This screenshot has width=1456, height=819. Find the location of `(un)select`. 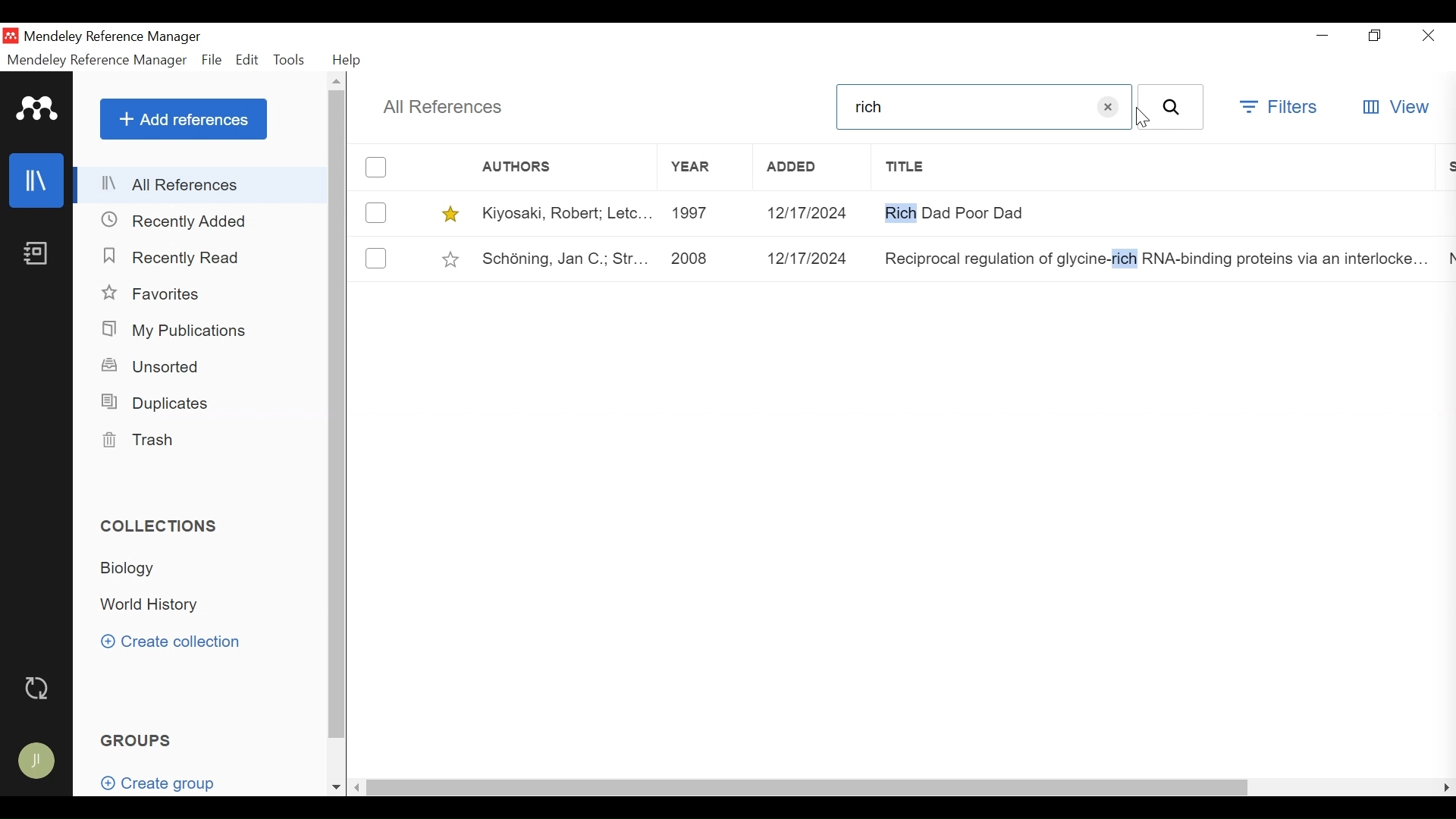

(un)select is located at coordinates (375, 212).